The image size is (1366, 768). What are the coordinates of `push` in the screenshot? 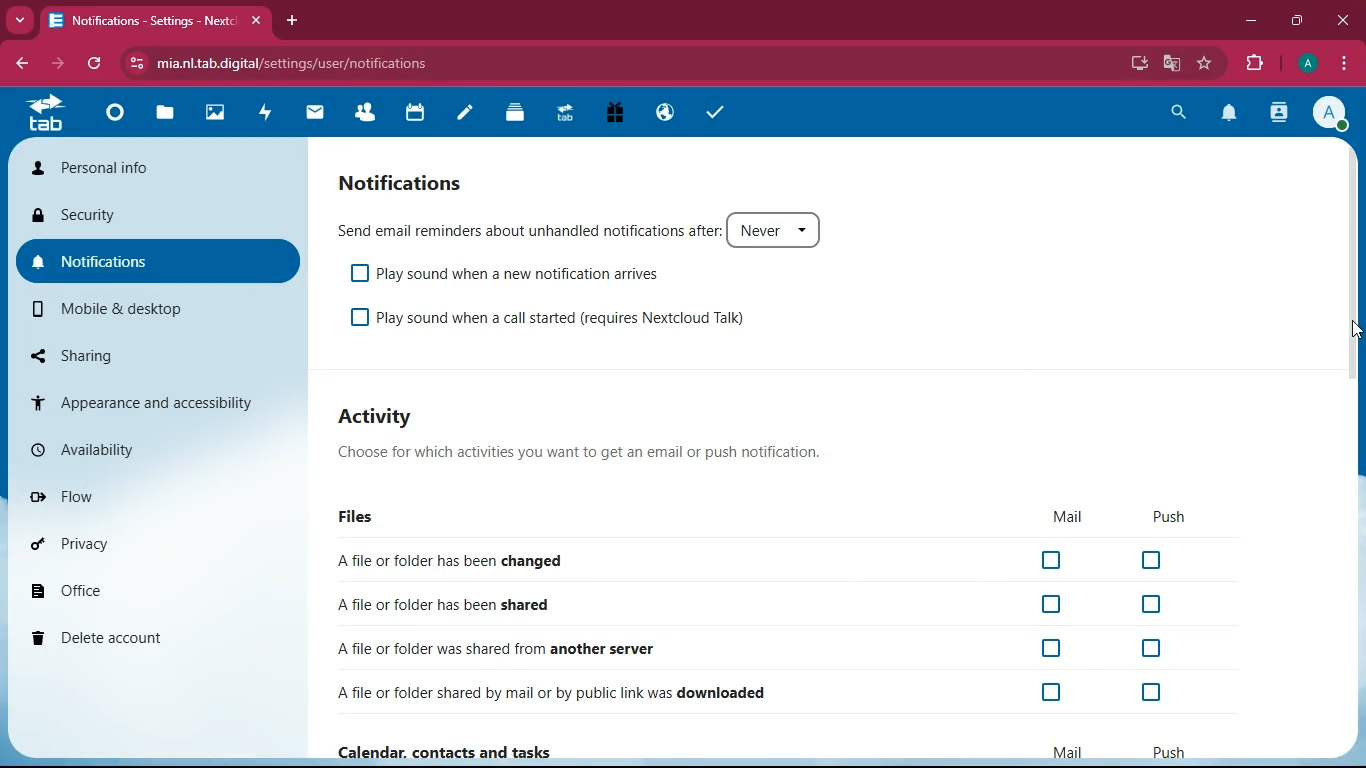 It's located at (1181, 515).